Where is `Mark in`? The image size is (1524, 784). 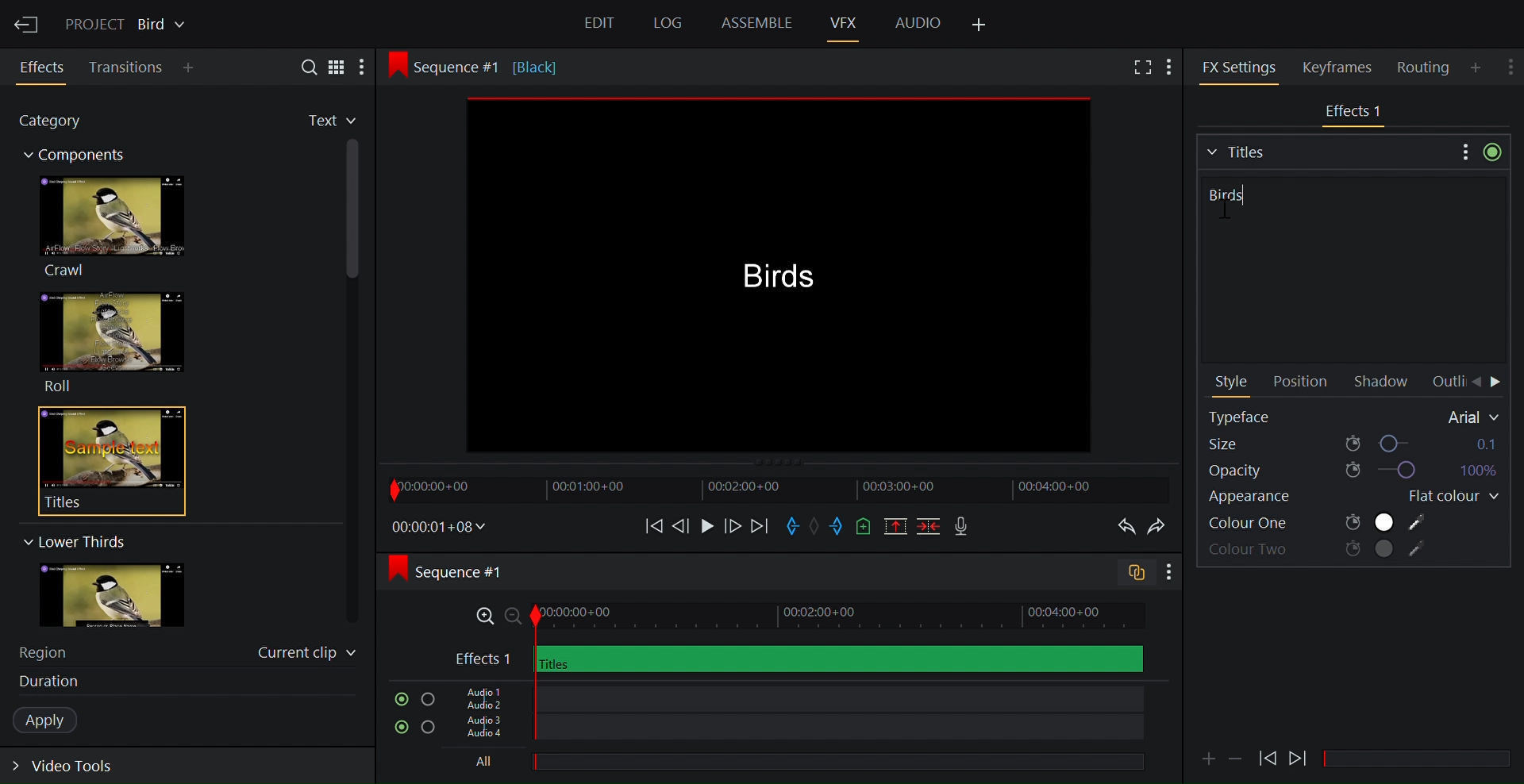 Mark in is located at coordinates (795, 525).